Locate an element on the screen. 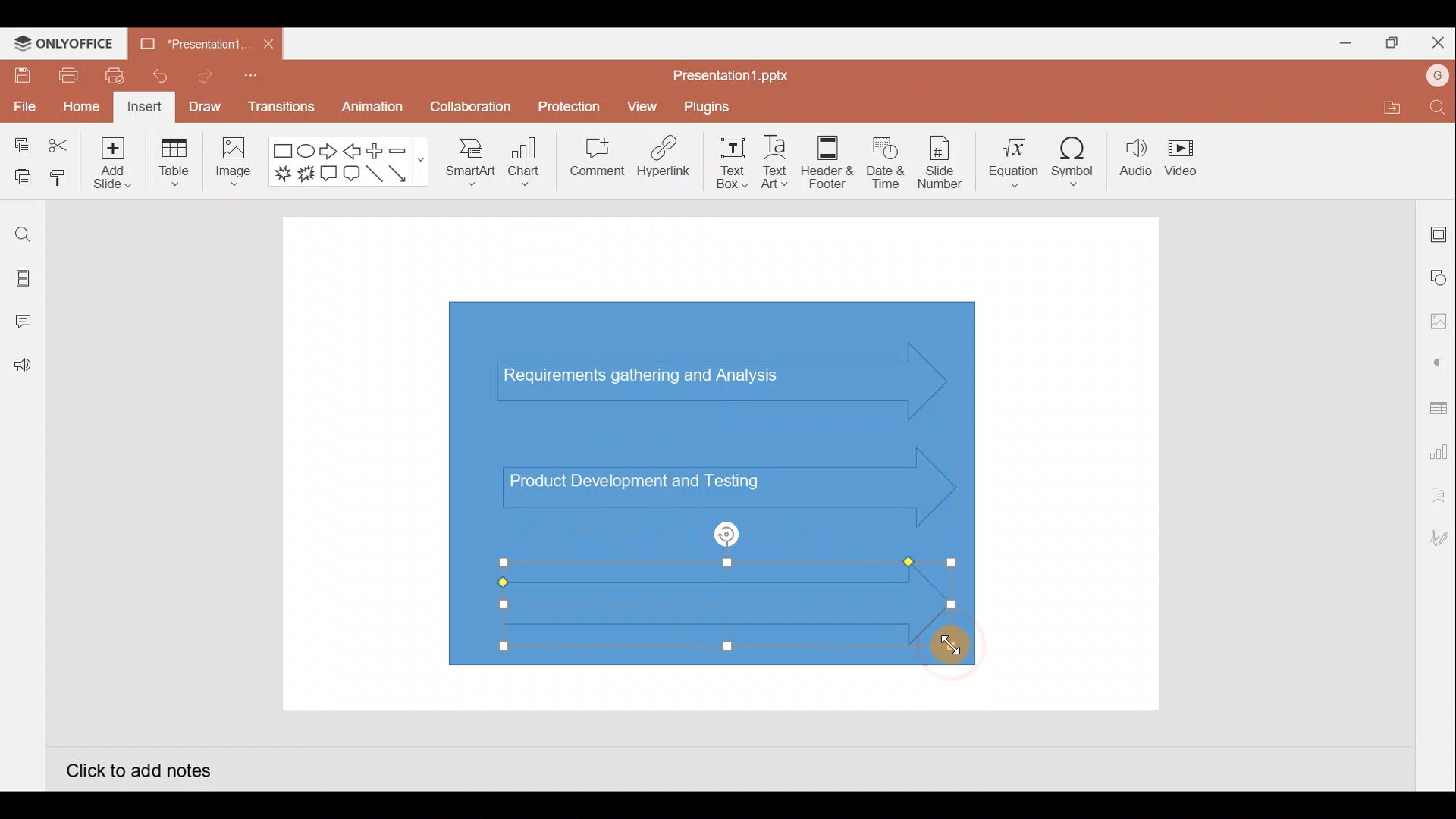 Image resolution: width=1456 pixels, height=819 pixels. Presentation1.pptx is located at coordinates (736, 71).